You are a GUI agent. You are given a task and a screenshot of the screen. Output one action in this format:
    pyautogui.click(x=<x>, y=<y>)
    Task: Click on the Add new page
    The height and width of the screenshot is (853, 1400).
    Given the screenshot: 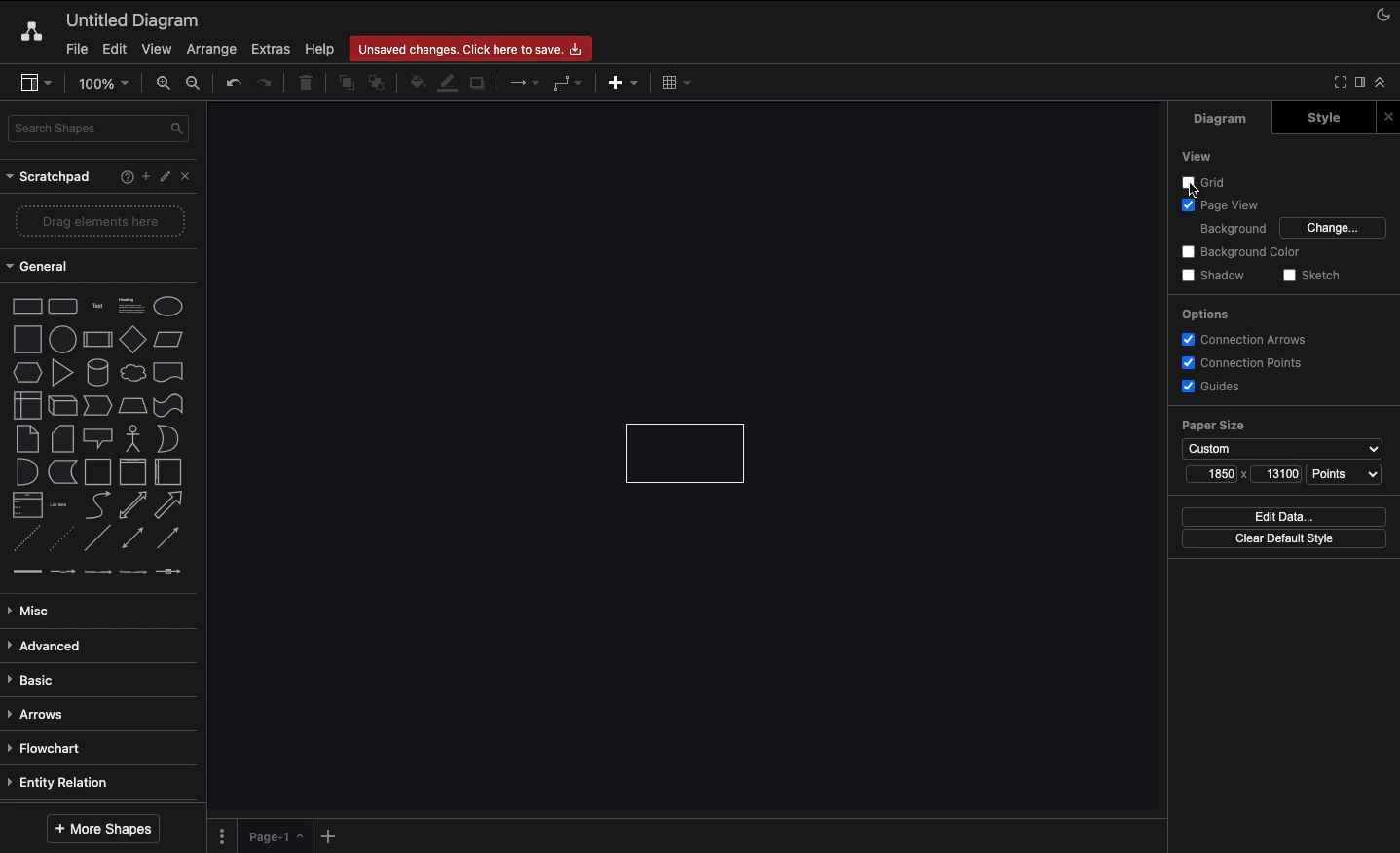 What is the action you would take?
    pyautogui.click(x=334, y=835)
    